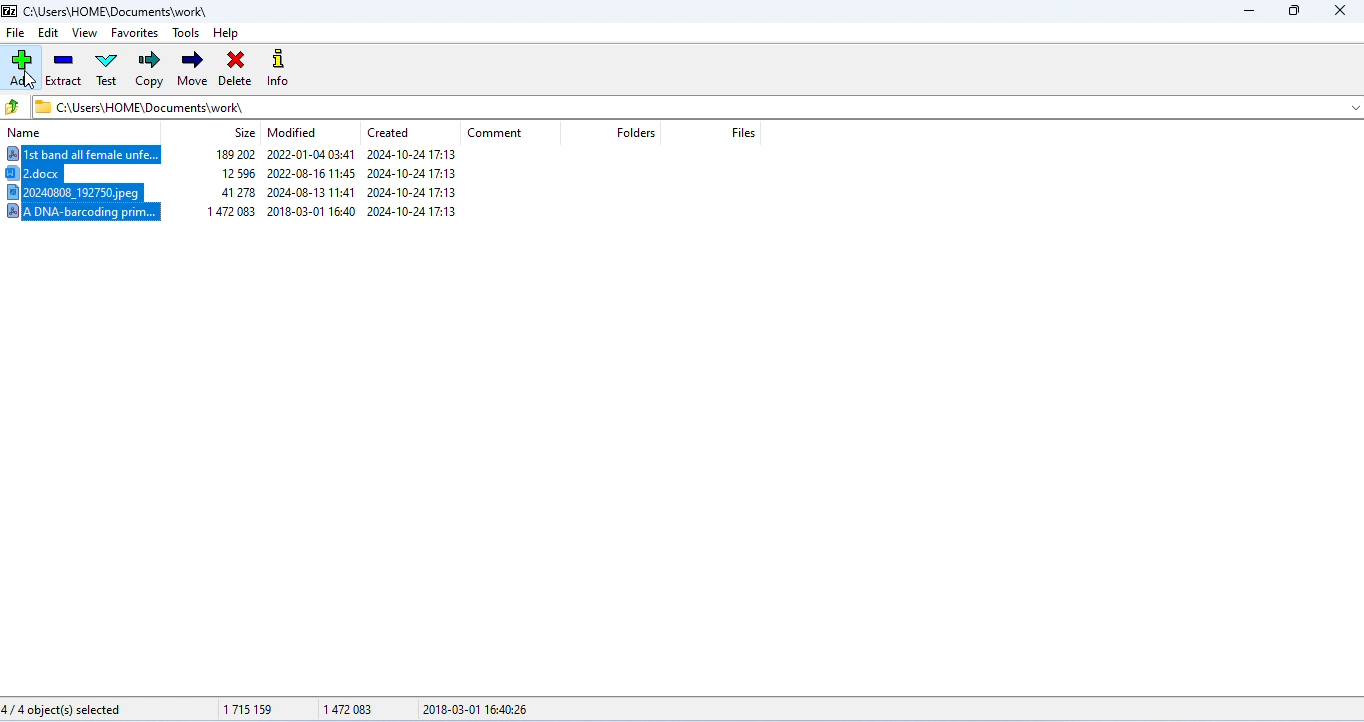  What do you see at coordinates (635, 133) in the screenshot?
I see `folders` at bounding box center [635, 133].